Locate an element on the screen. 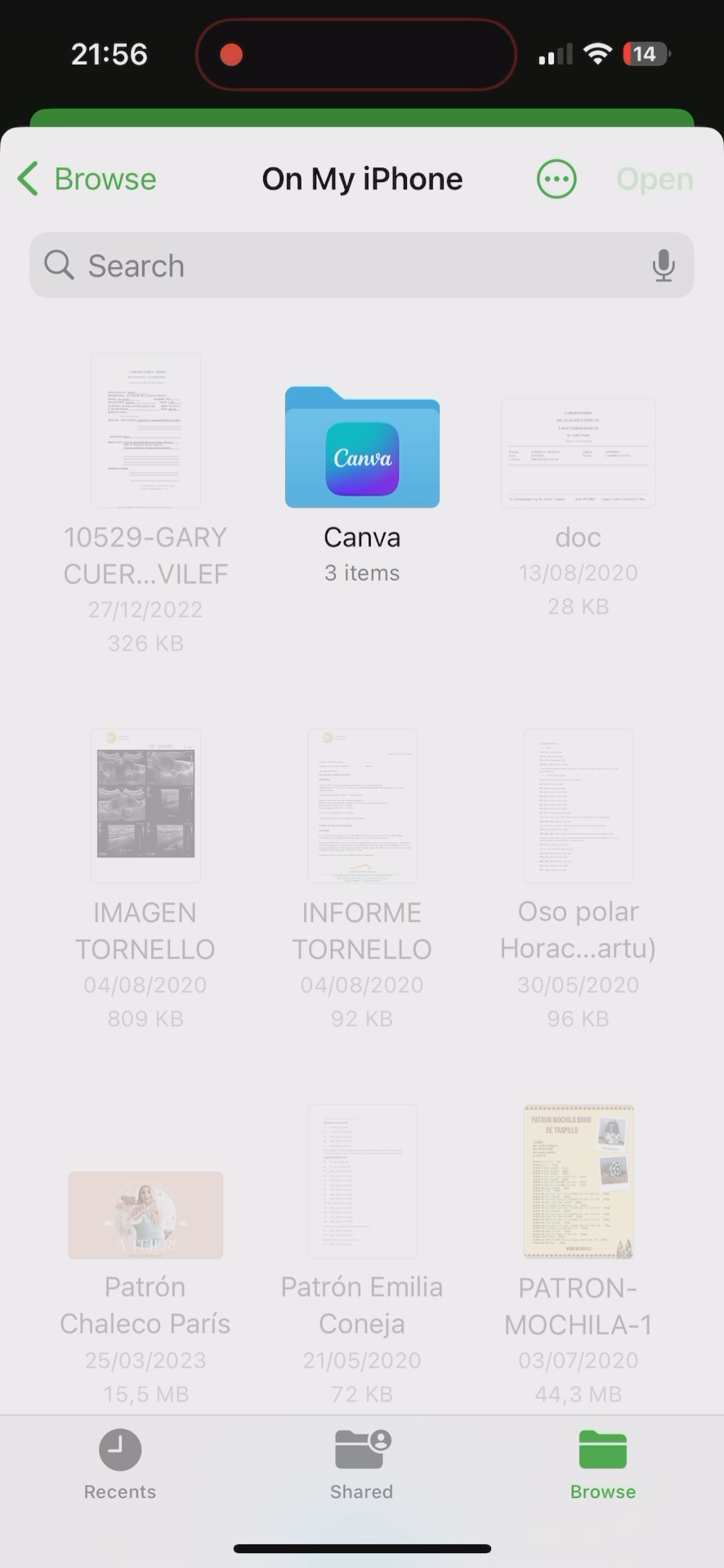  21:56 is located at coordinates (107, 57).